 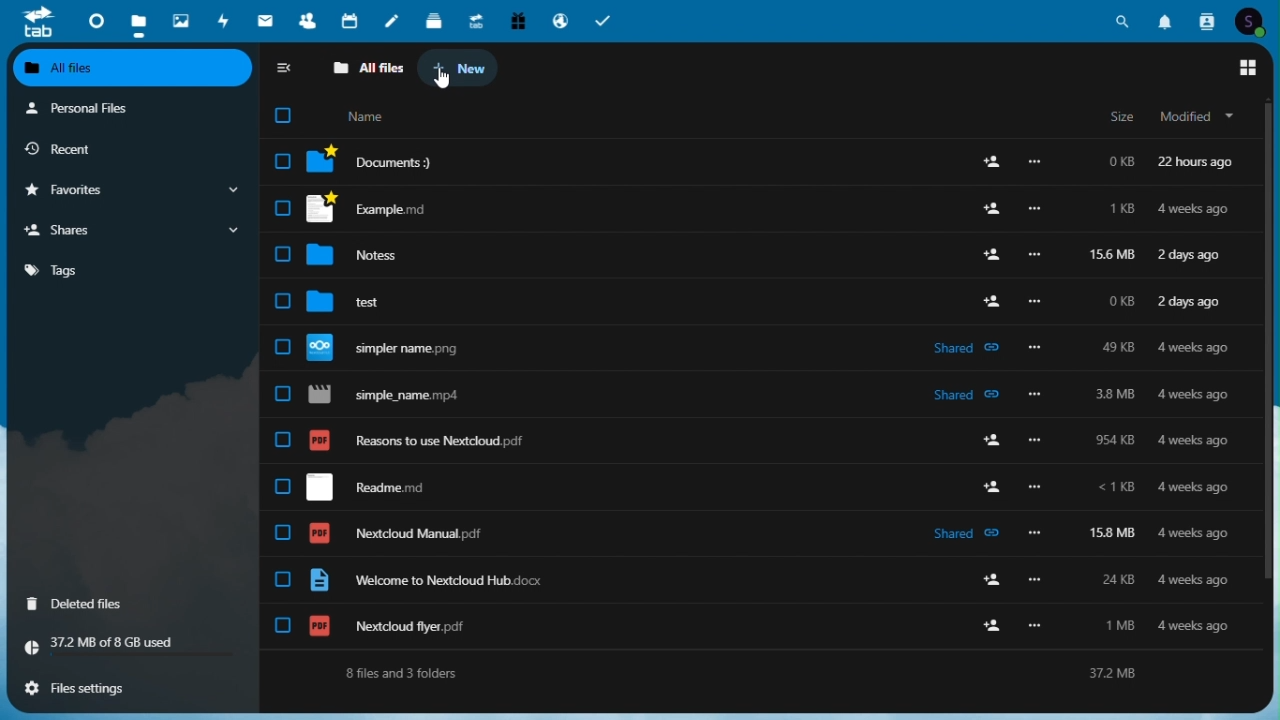 What do you see at coordinates (1036, 439) in the screenshot?
I see `more options` at bounding box center [1036, 439].